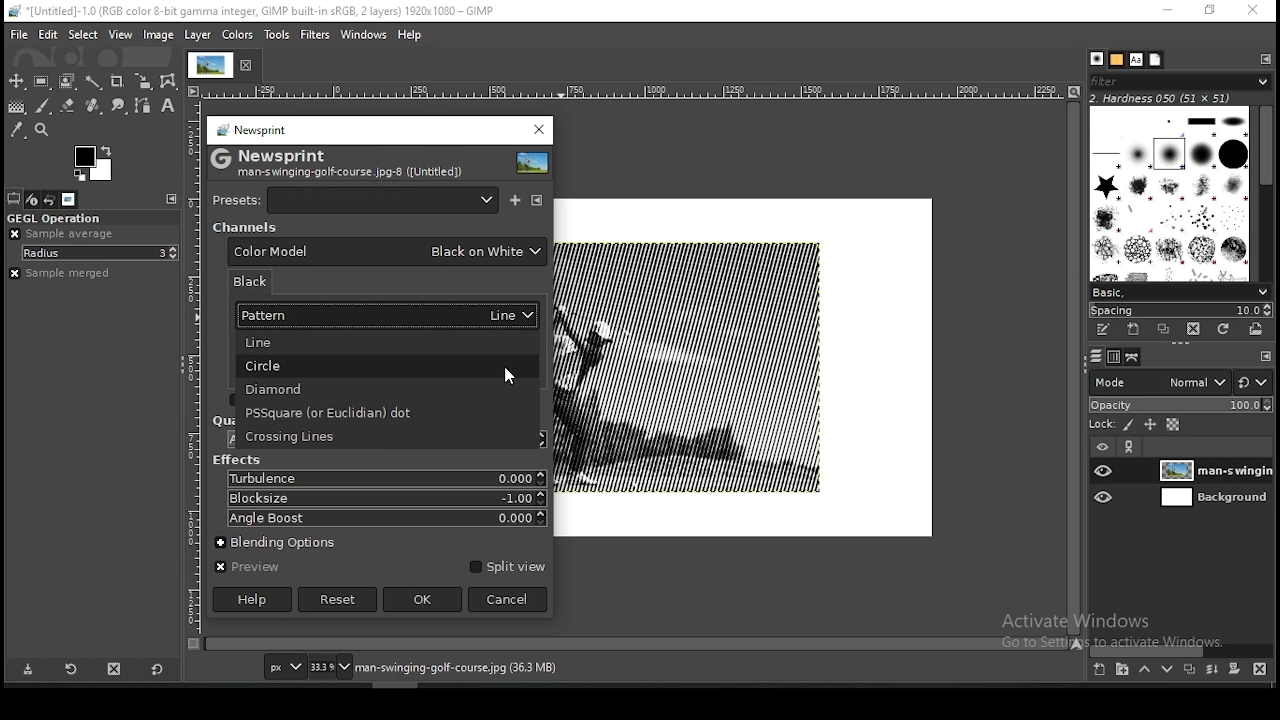 The image size is (1280, 720). Describe the element at coordinates (538, 130) in the screenshot. I see `close window` at that location.